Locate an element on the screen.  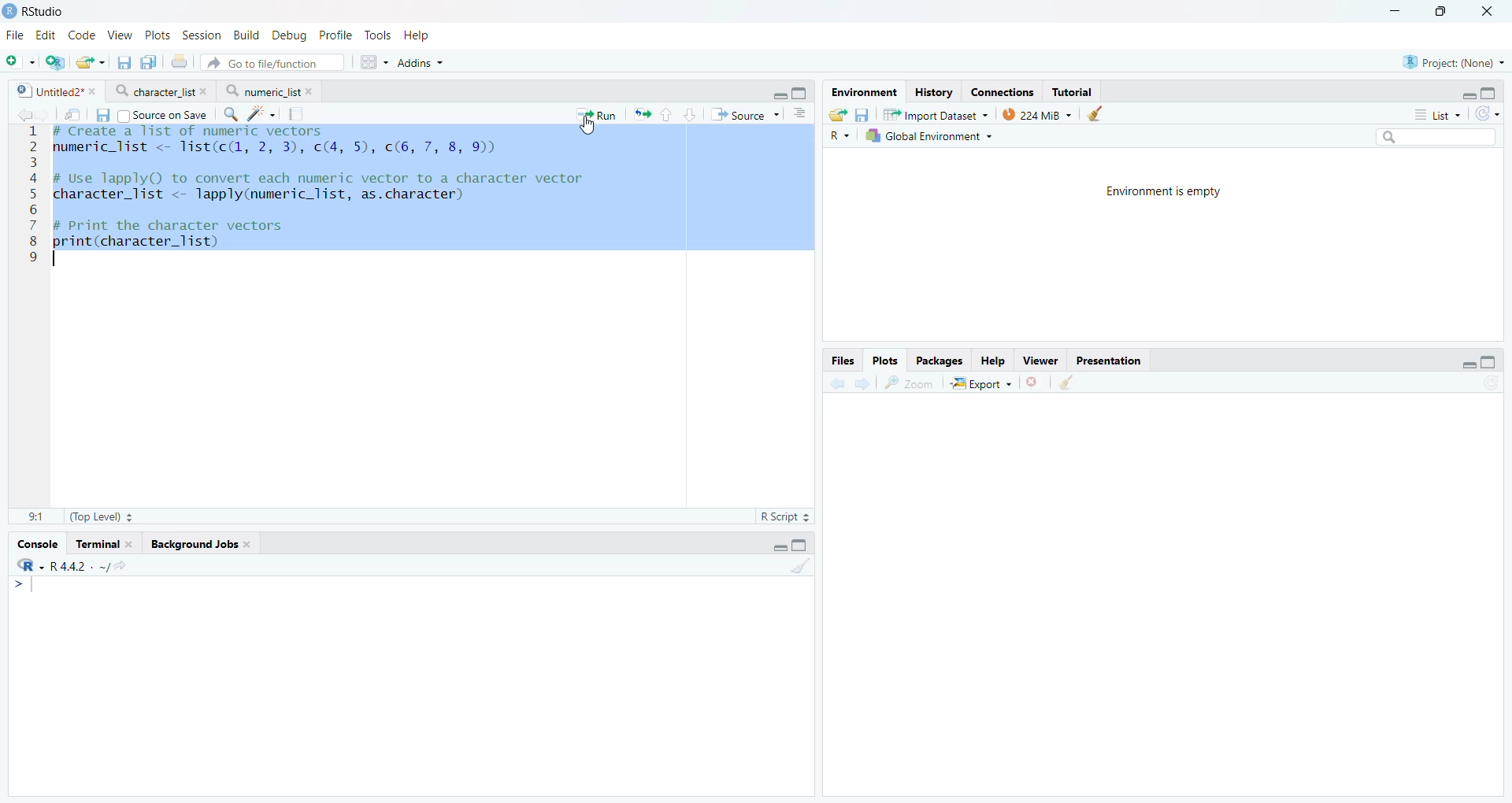
Console is located at coordinates (39, 545).